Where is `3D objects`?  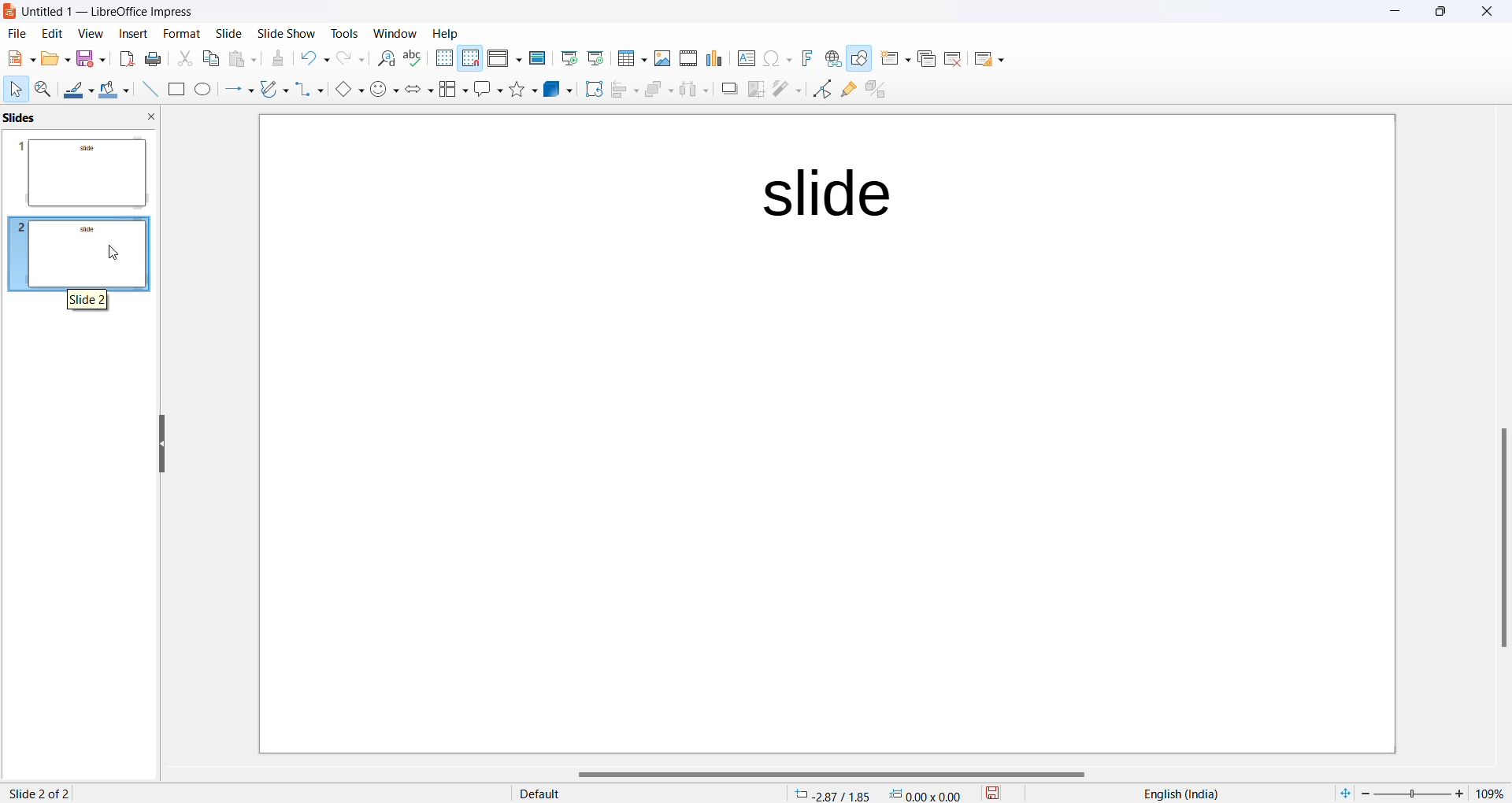 3D objects is located at coordinates (556, 91).